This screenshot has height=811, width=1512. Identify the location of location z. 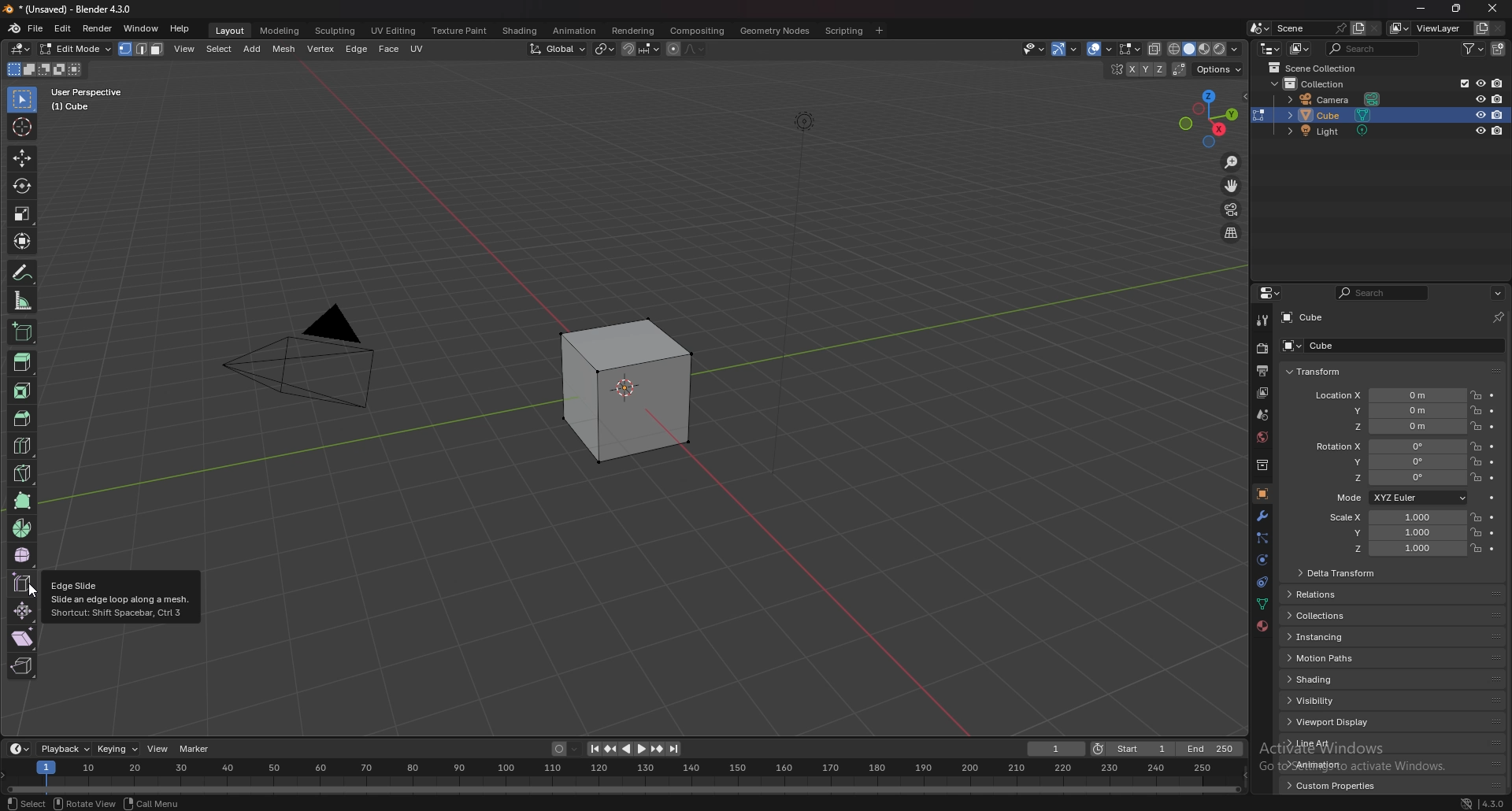
(1399, 427).